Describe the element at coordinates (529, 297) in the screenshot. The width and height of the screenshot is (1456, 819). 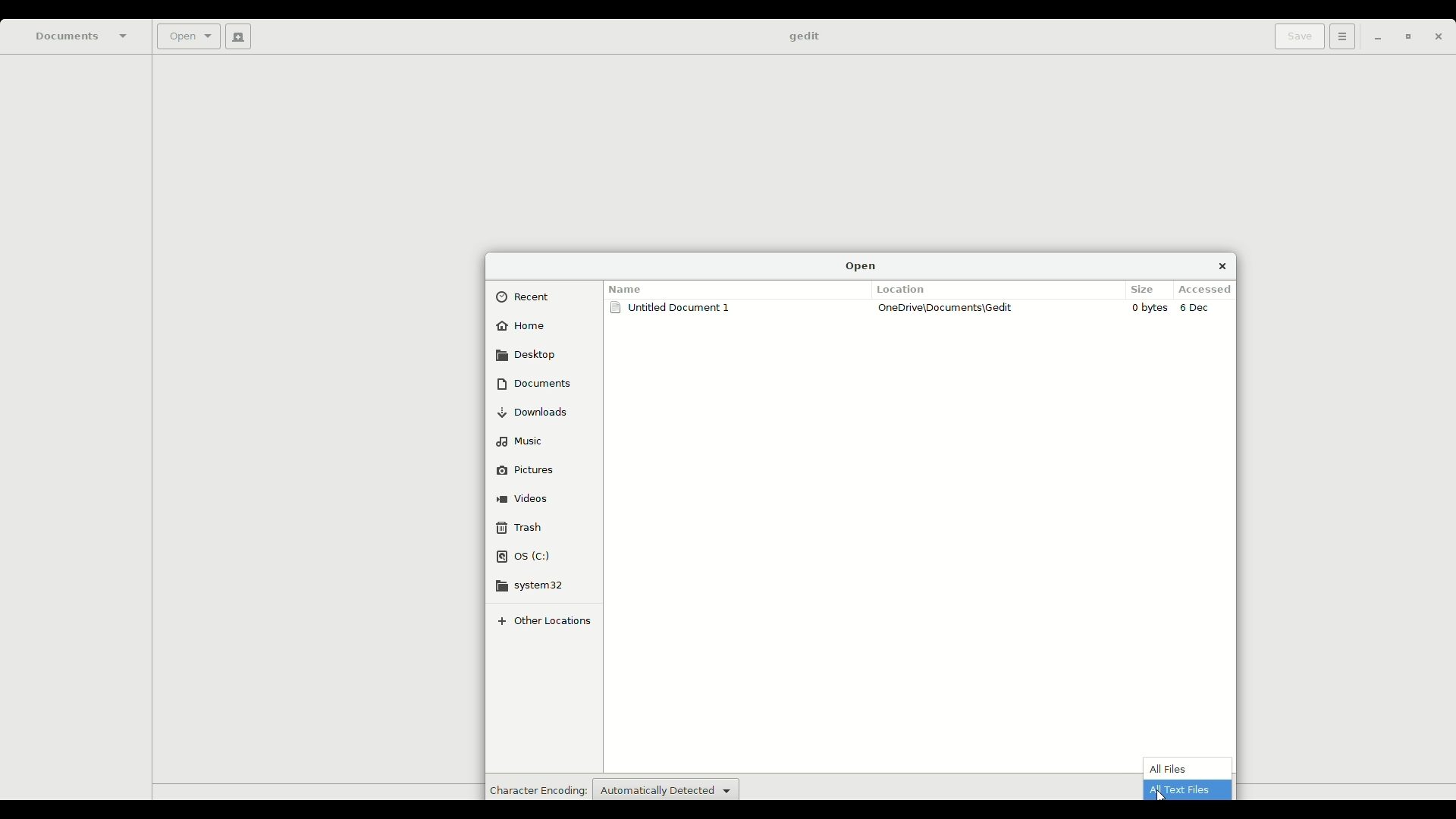
I see `Recent` at that location.